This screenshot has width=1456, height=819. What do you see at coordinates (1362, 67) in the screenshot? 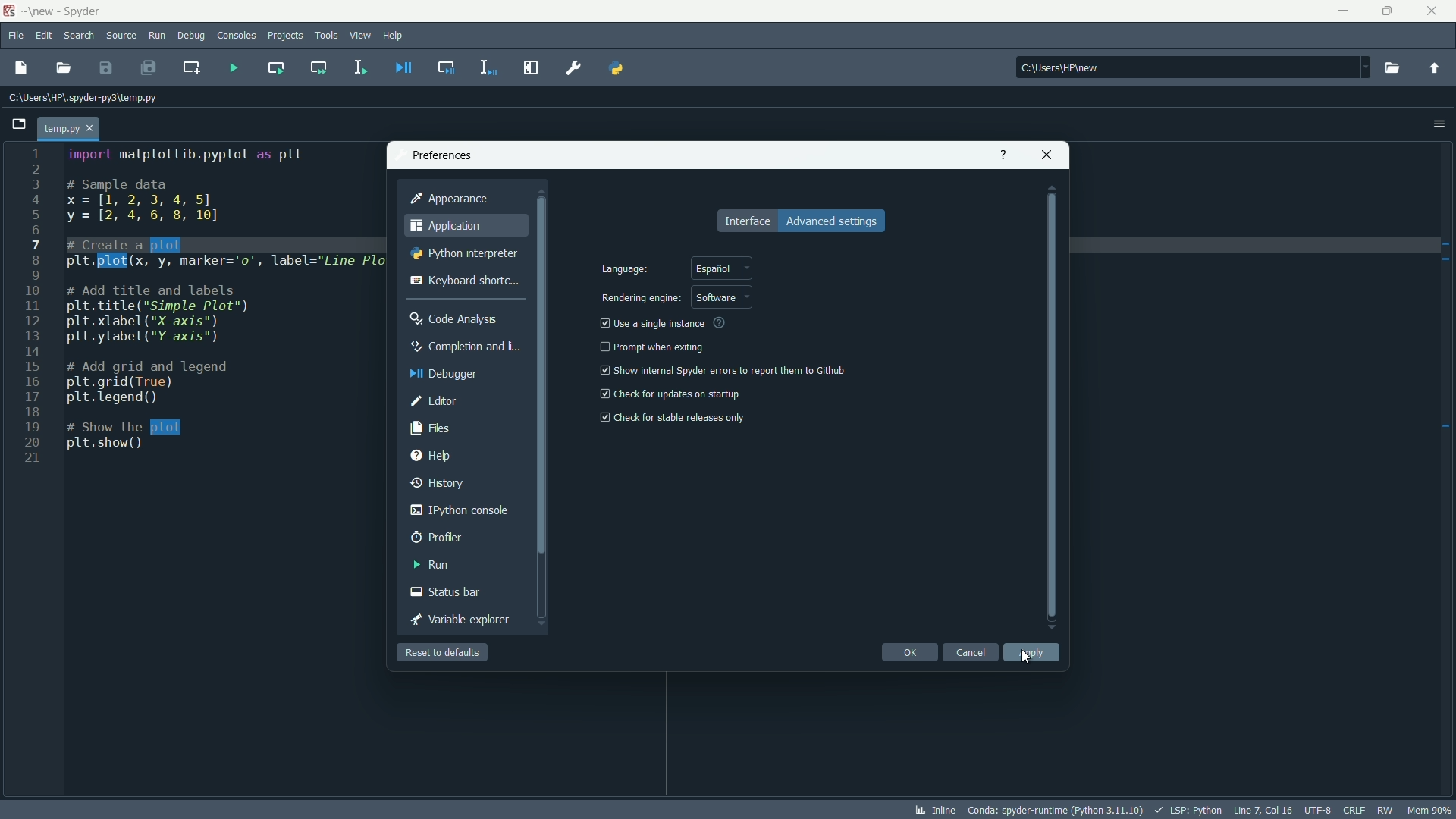
I see `dropdown toggle` at bounding box center [1362, 67].